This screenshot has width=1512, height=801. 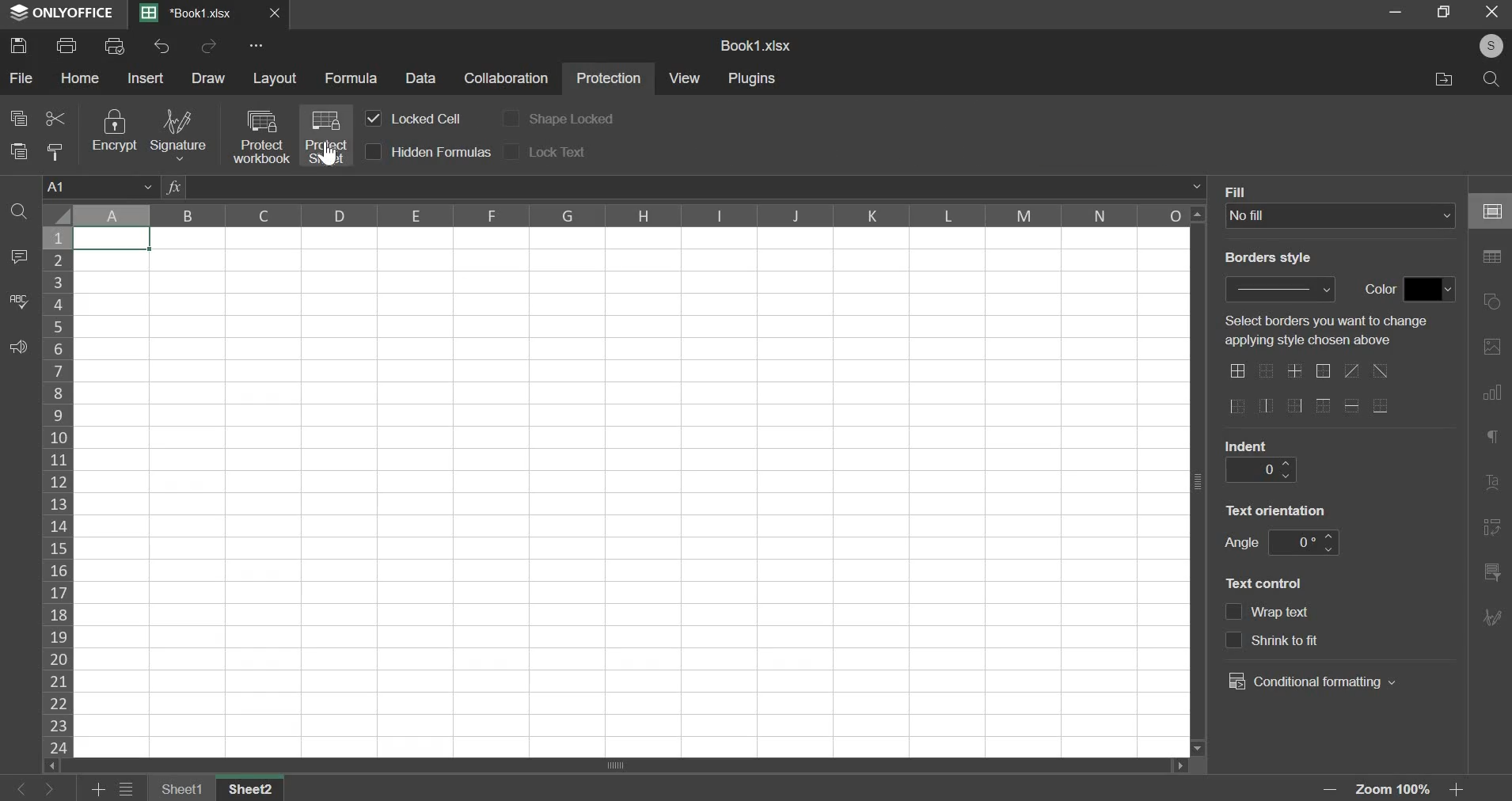 What do you see at coordinates (1430, 289) in the screenshot?
I see `fill color` at bounding box center [1430, 289].